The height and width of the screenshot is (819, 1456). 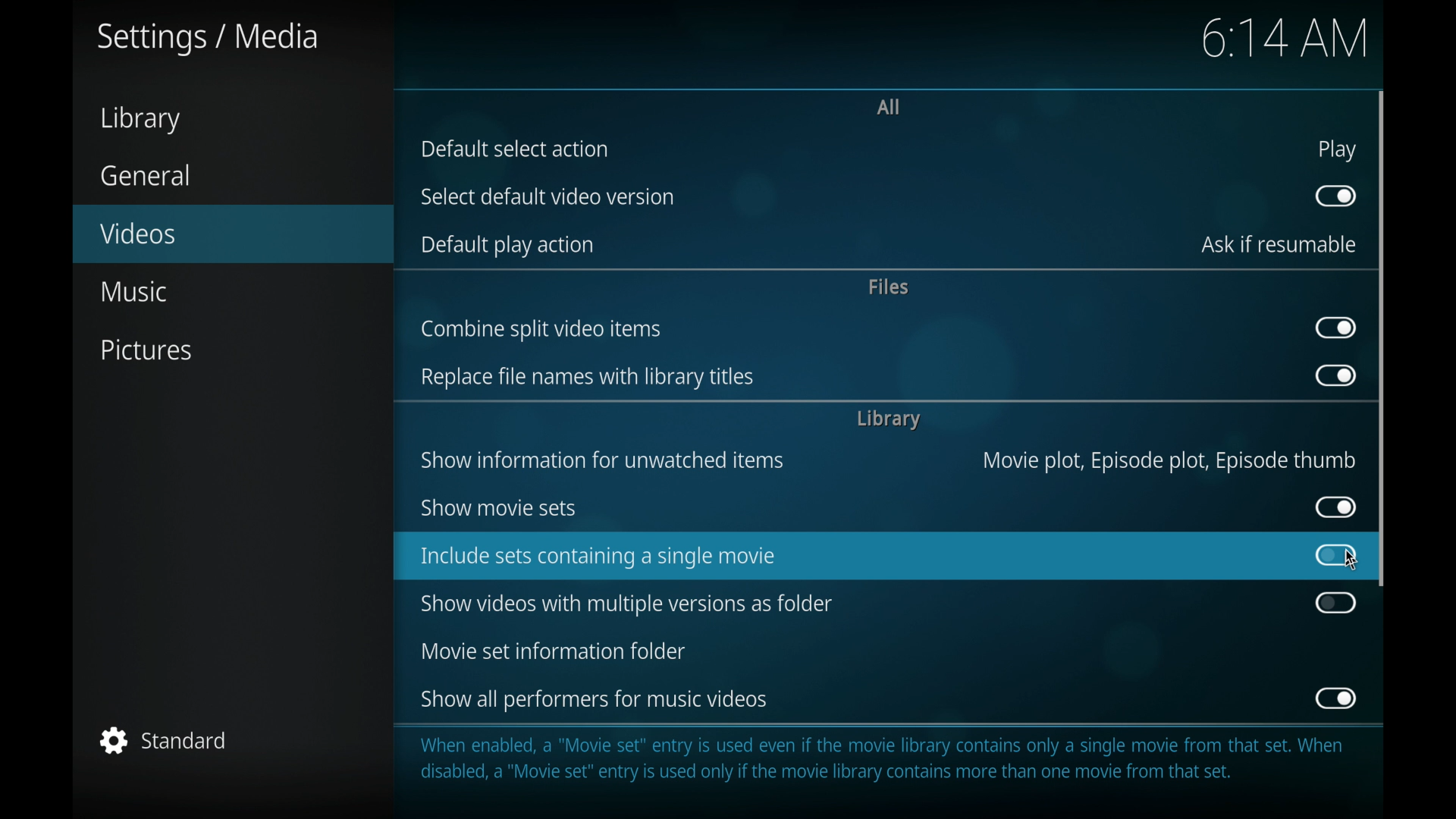 I want to click on scroll box, so click(x=1382, y=338).